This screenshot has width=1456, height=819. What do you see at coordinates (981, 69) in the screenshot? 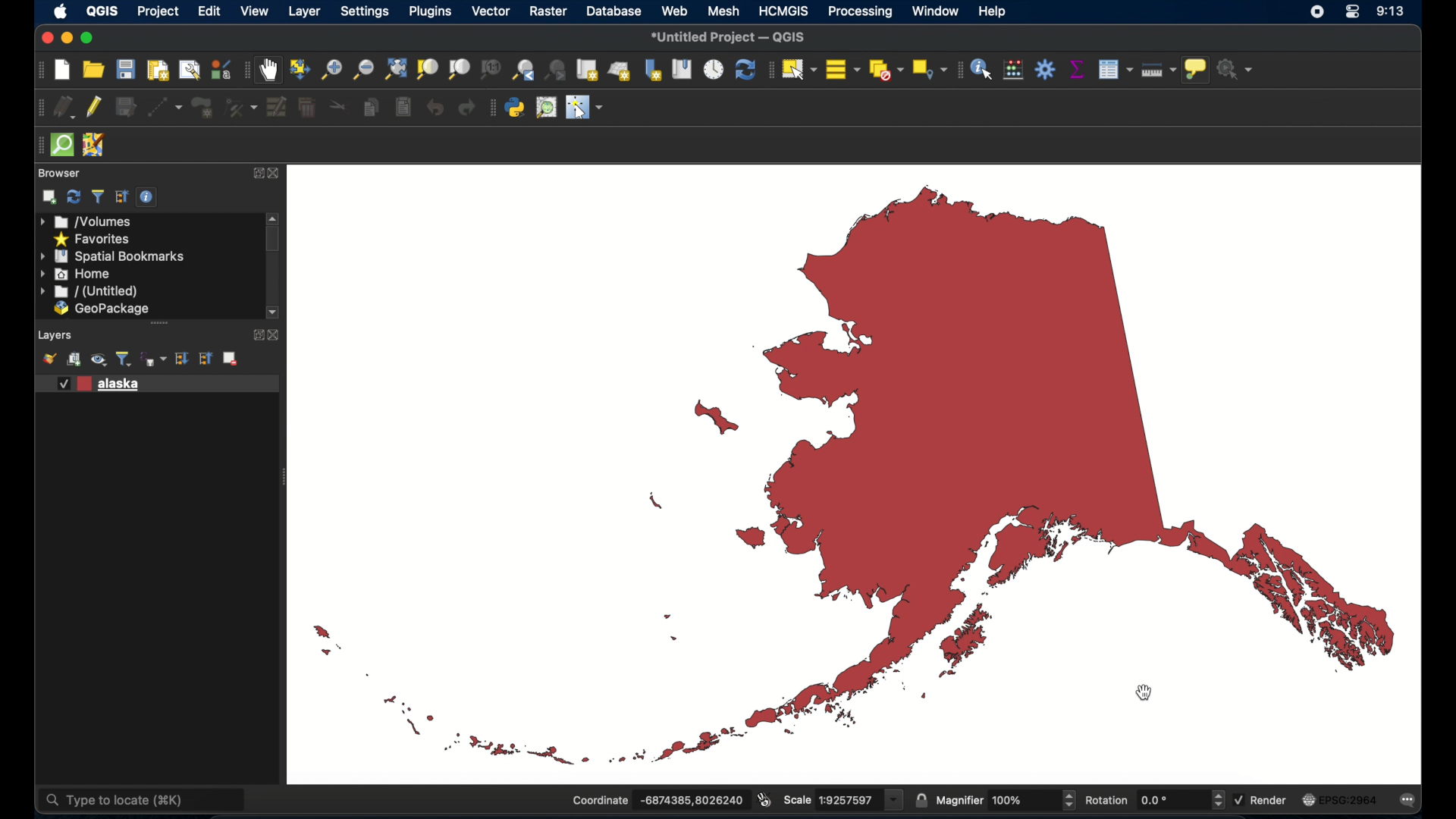
I see `identify feature` at bounding box center [981, 69].